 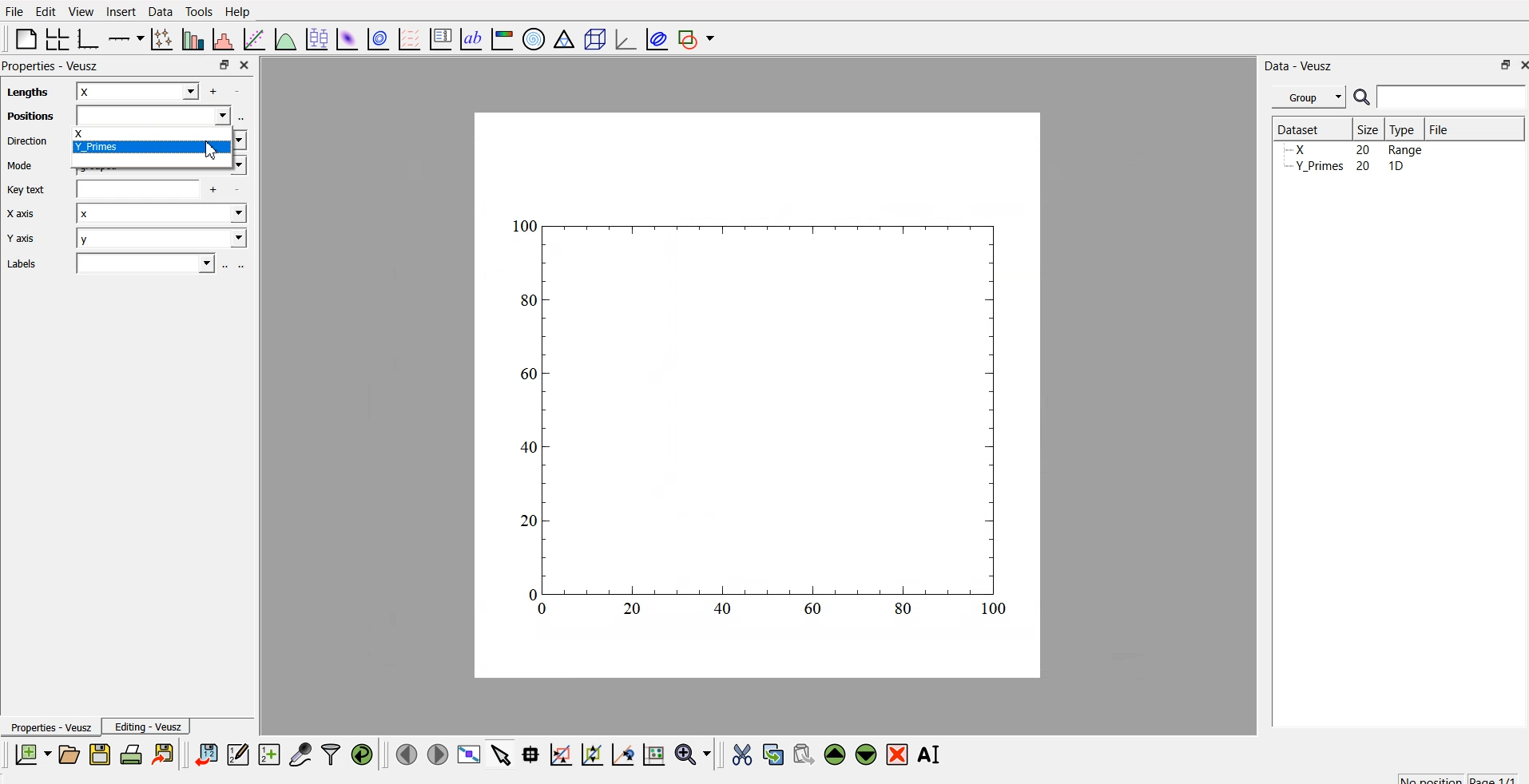 What do you see at coordinates (216, 151) in the screenshot?
I see `cursor` at bounding box center [216, 151].